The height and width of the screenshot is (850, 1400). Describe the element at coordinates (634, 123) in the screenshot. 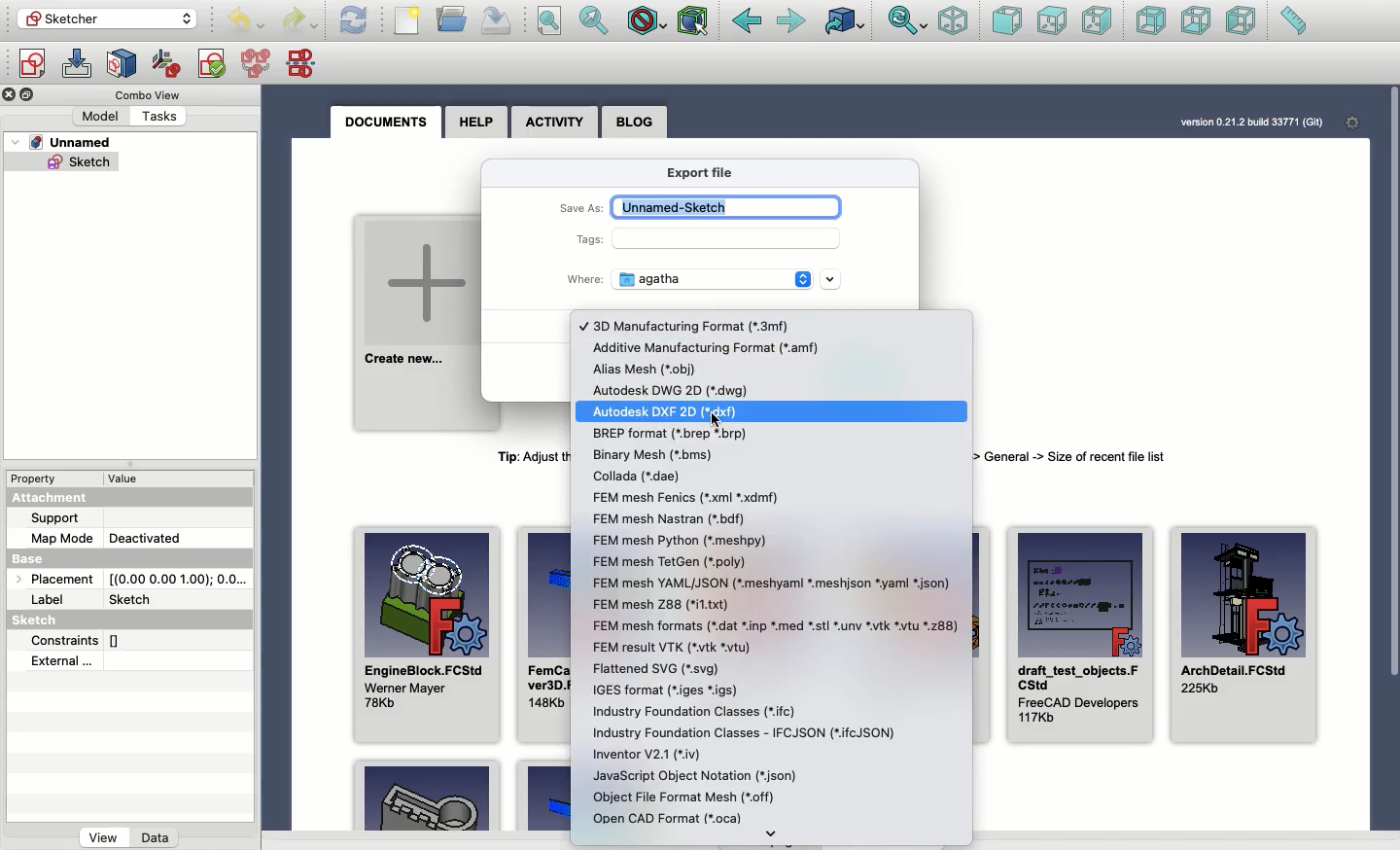

I see `Blog` at that location.